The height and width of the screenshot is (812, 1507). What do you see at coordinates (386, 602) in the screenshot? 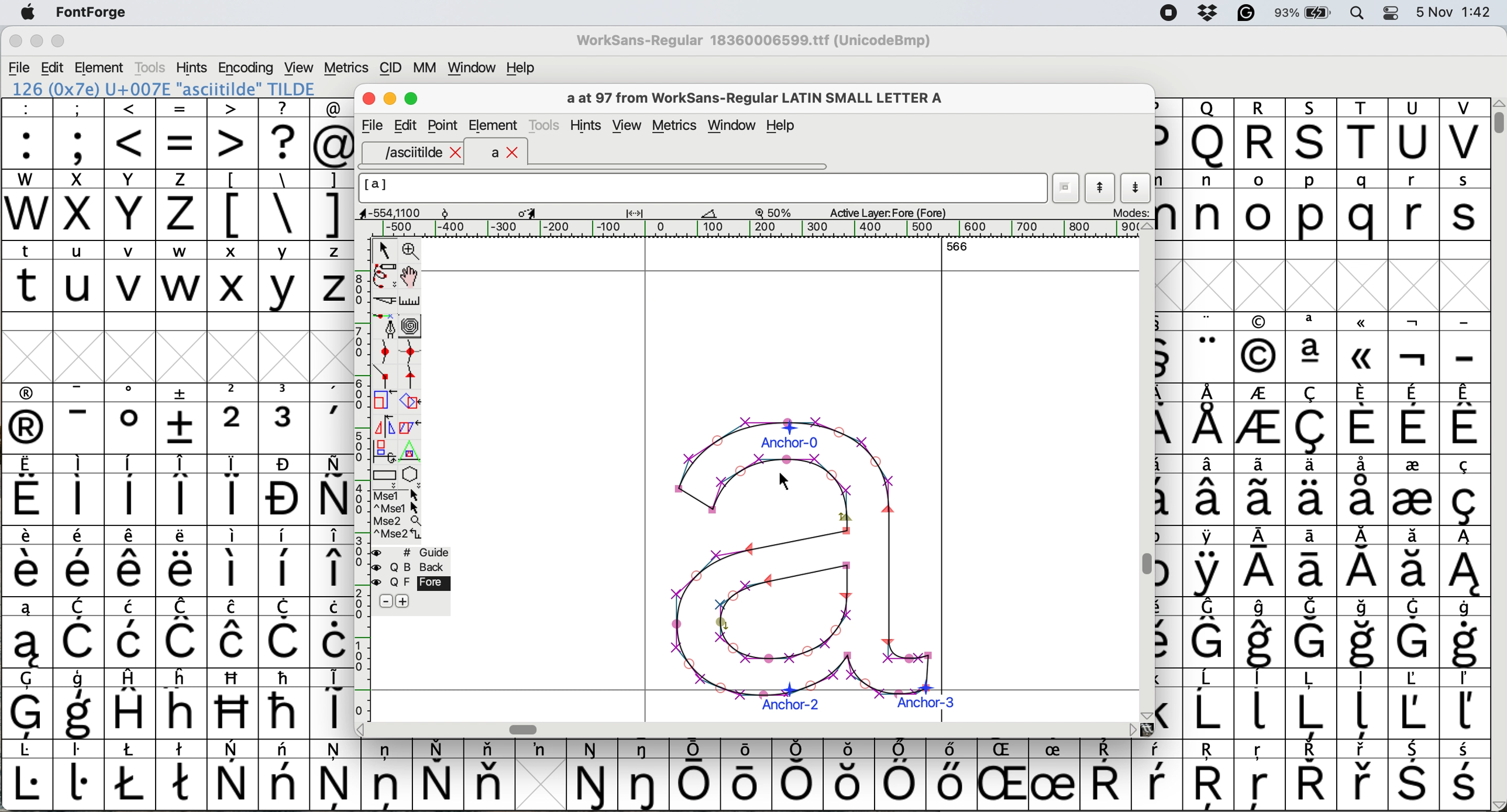
I see `remove` at bounding box center [386, 602].